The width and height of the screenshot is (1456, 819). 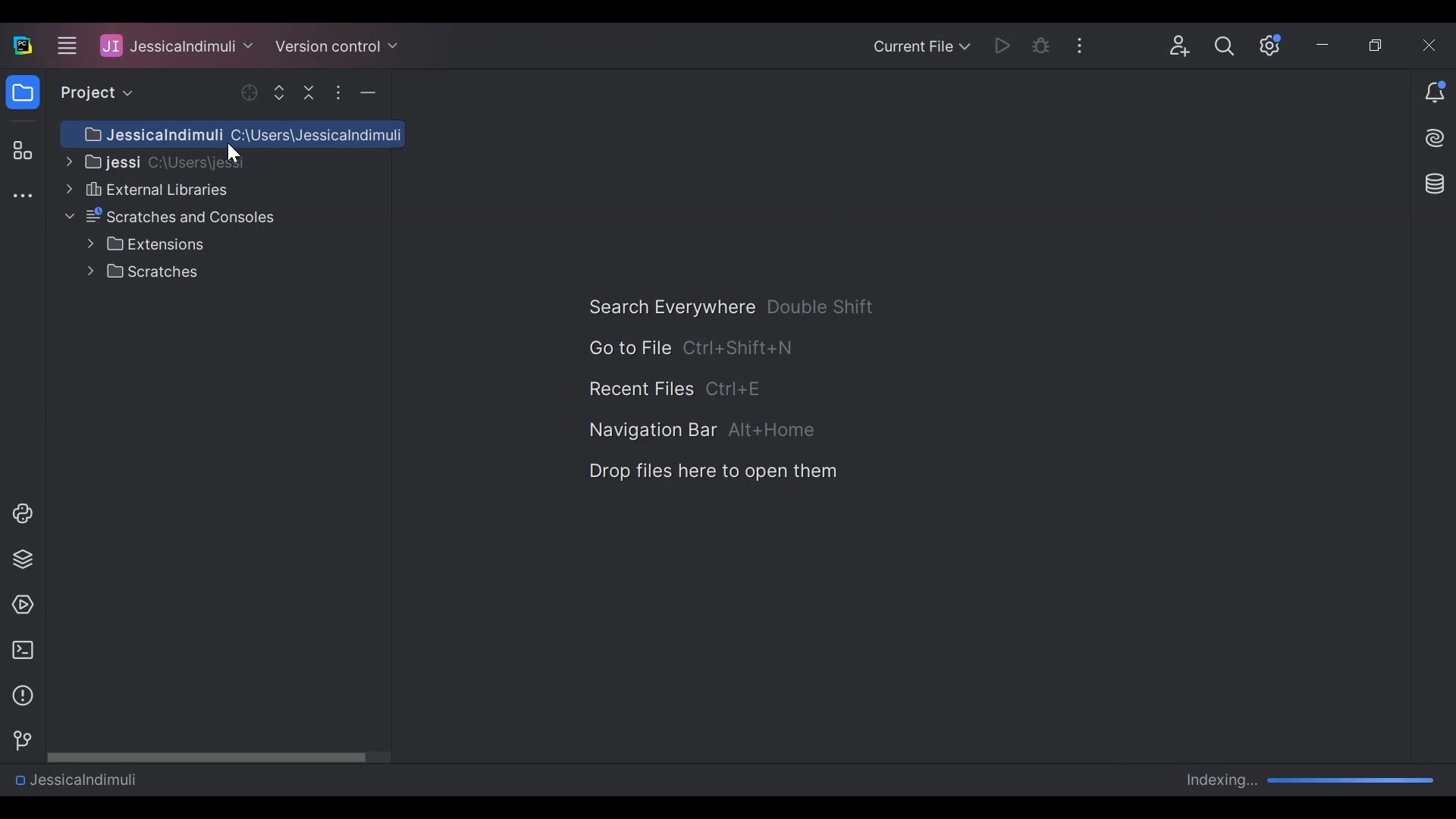 I want to click on Main  menu, so click(x=64, y=45).